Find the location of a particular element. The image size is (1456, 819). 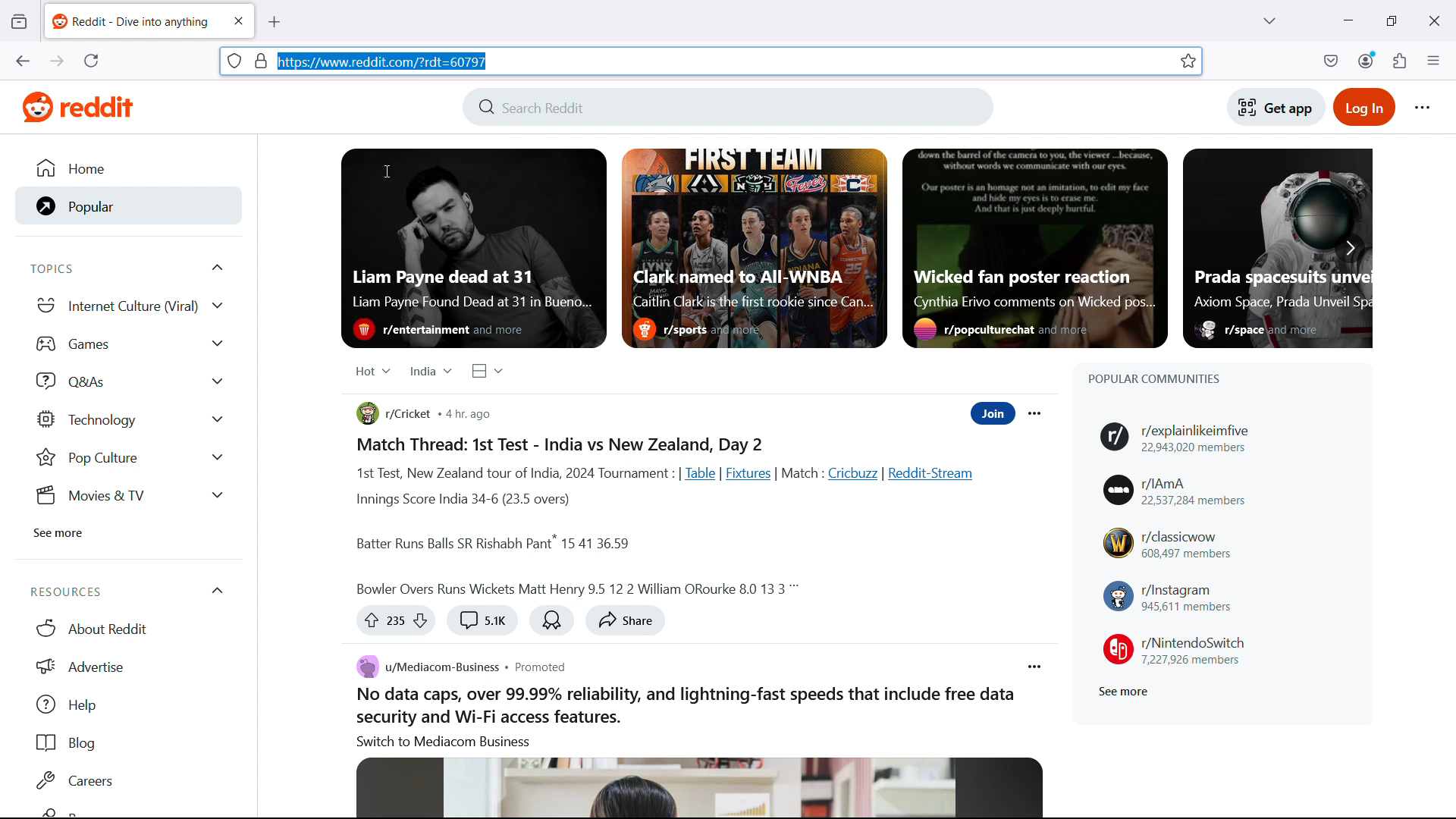

Popular is located at coordinates (123, 206).